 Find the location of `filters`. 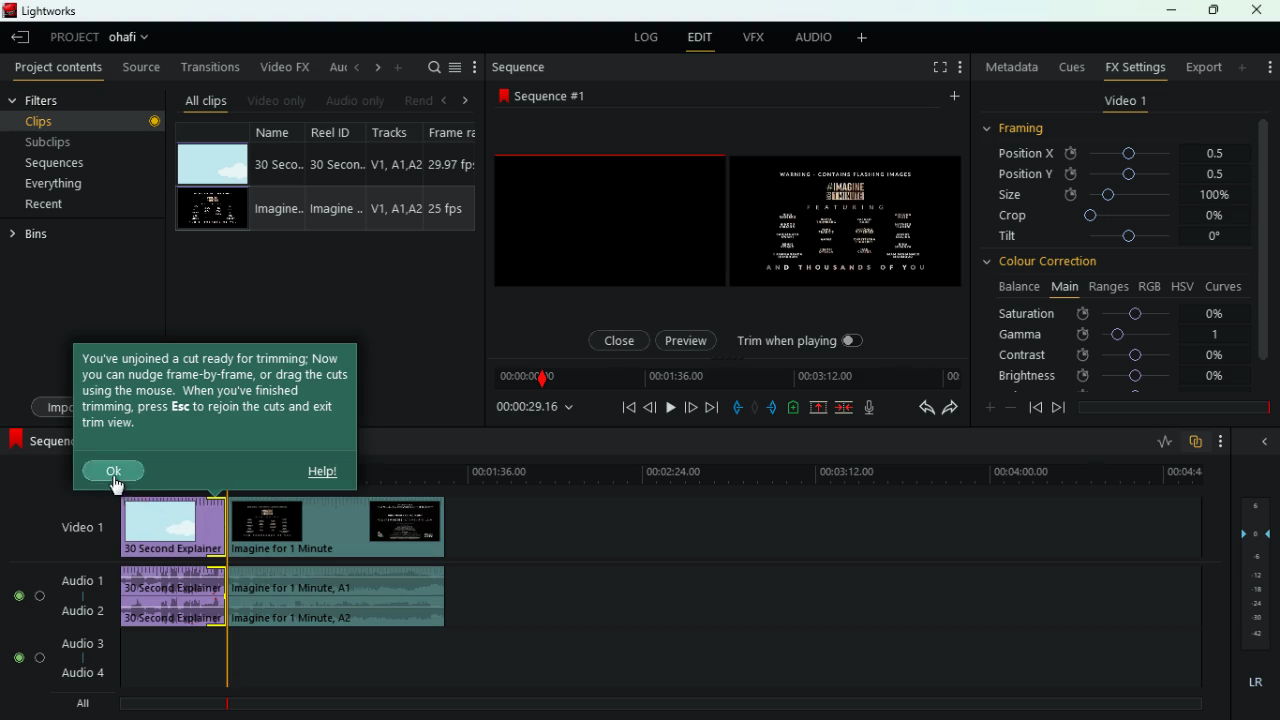

filters is located at coordinates (50, 101).